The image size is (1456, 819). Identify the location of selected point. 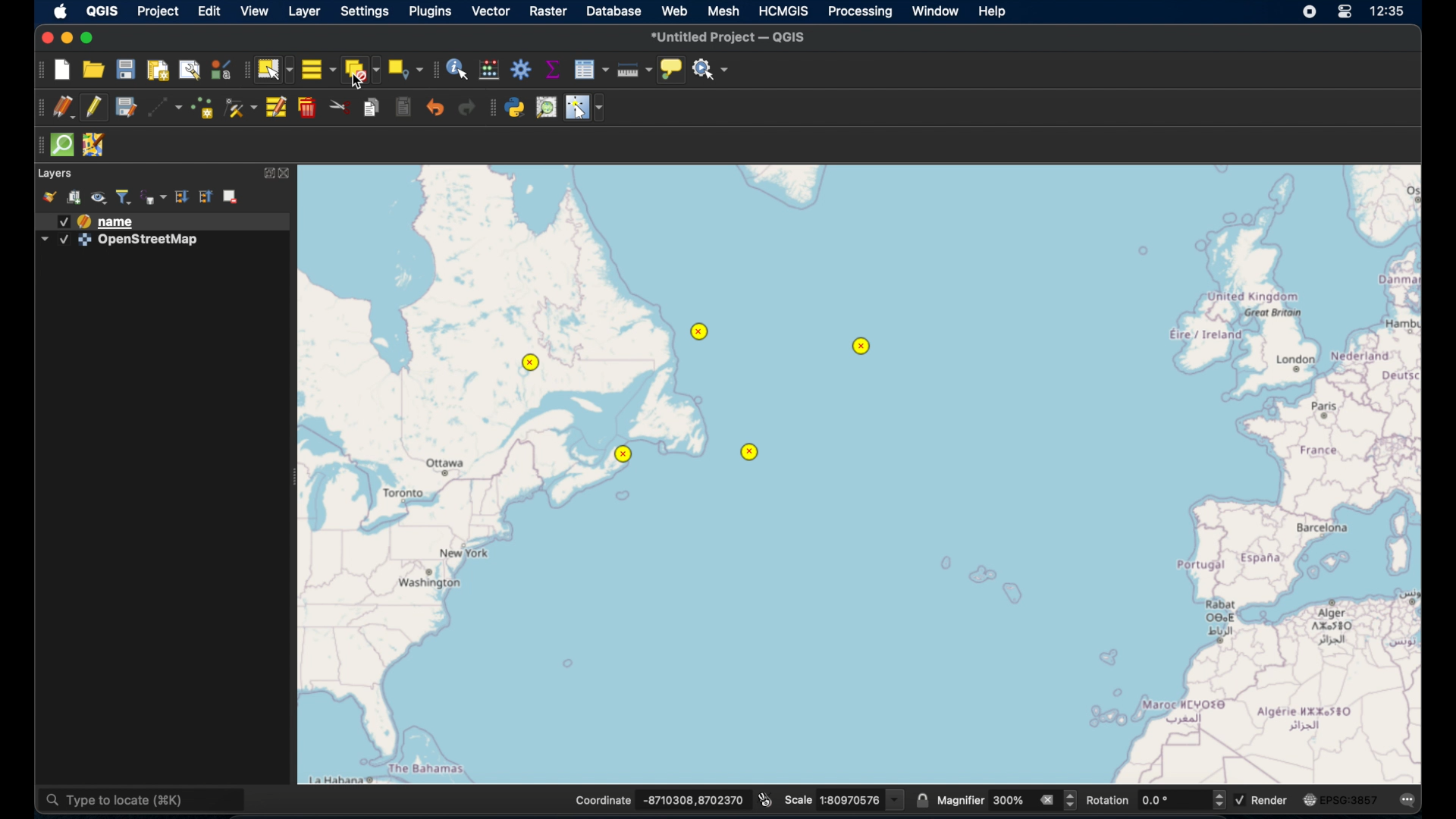
(751, 454).